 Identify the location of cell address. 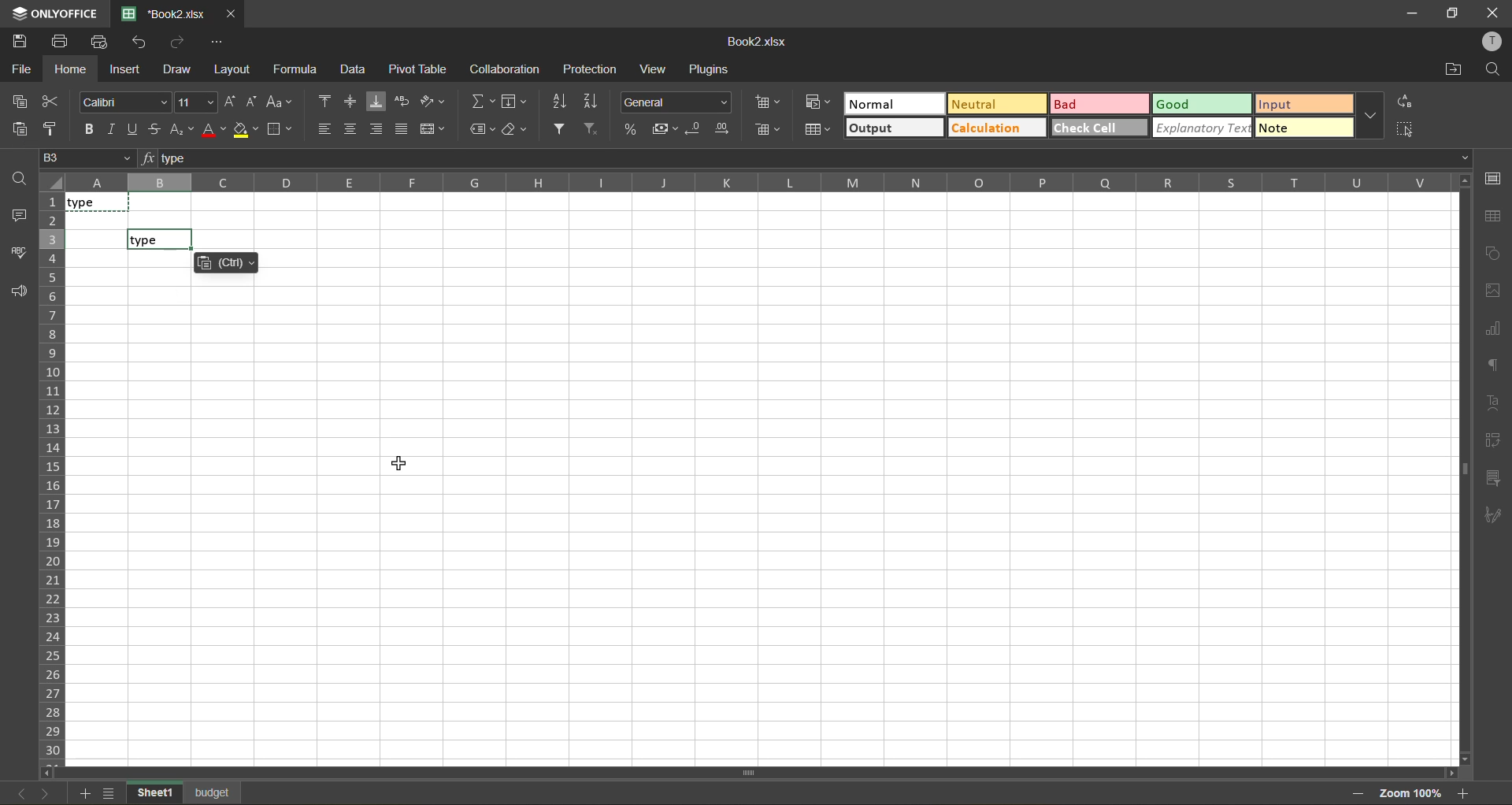
(89, 159).